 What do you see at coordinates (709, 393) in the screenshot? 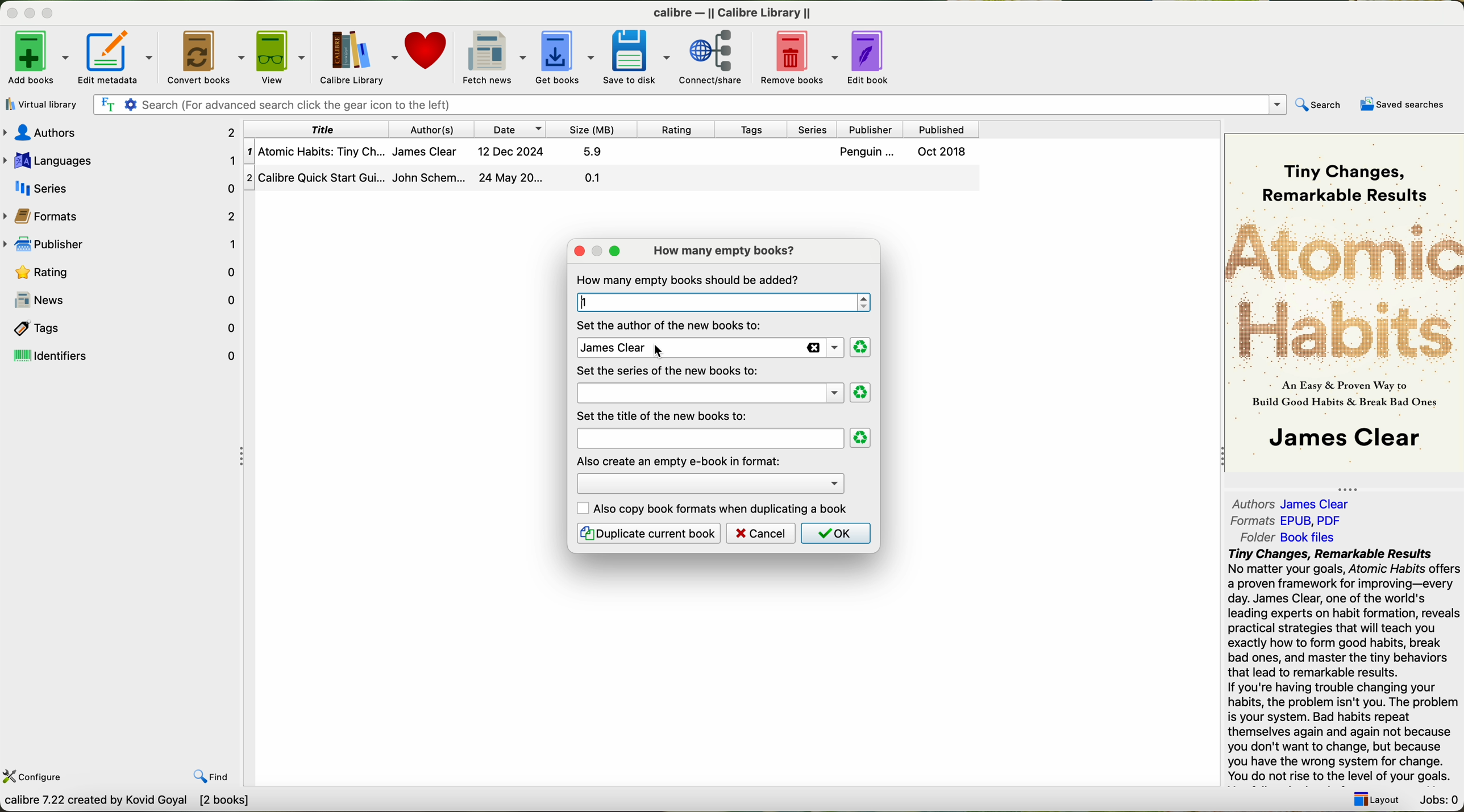
I see `series option` at bounding box center [709, 393].